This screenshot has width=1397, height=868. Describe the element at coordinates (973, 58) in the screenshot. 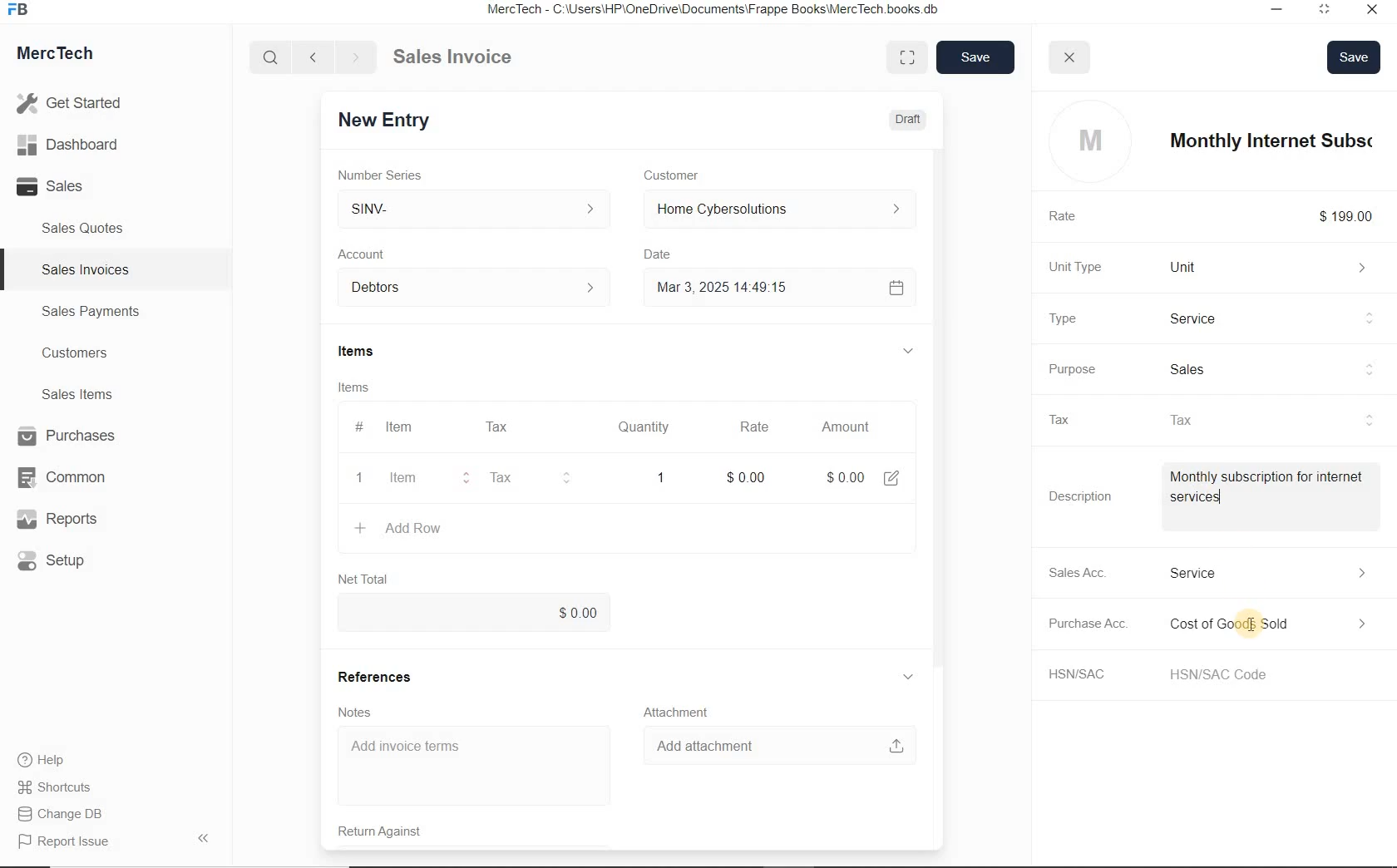

I see `save` at that location.